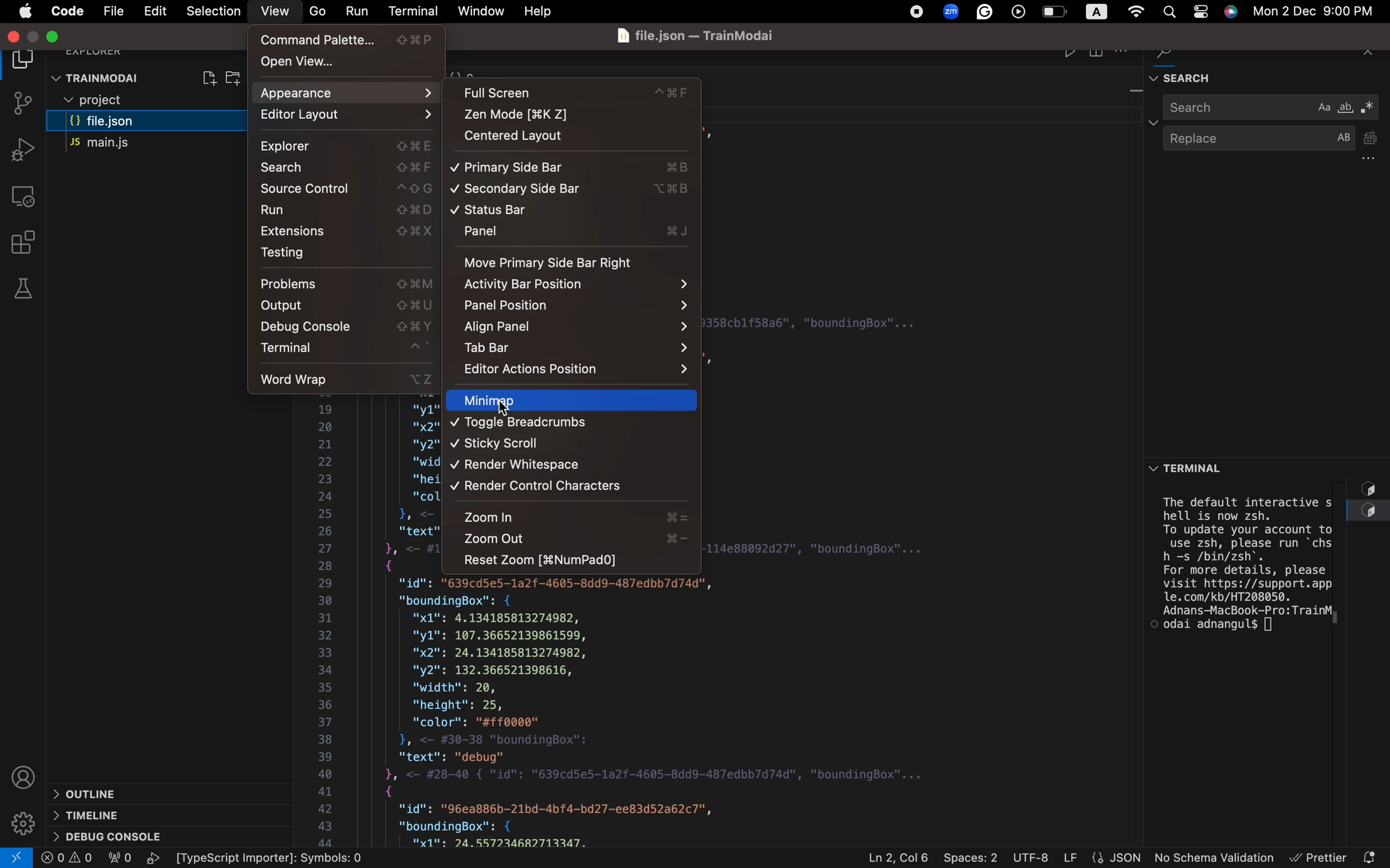 Image resolution: width=1390 pixels, height=868 pixels. Describe the element at coordinates (25, 241) in the screenshot. I see `Extensions` at that location.